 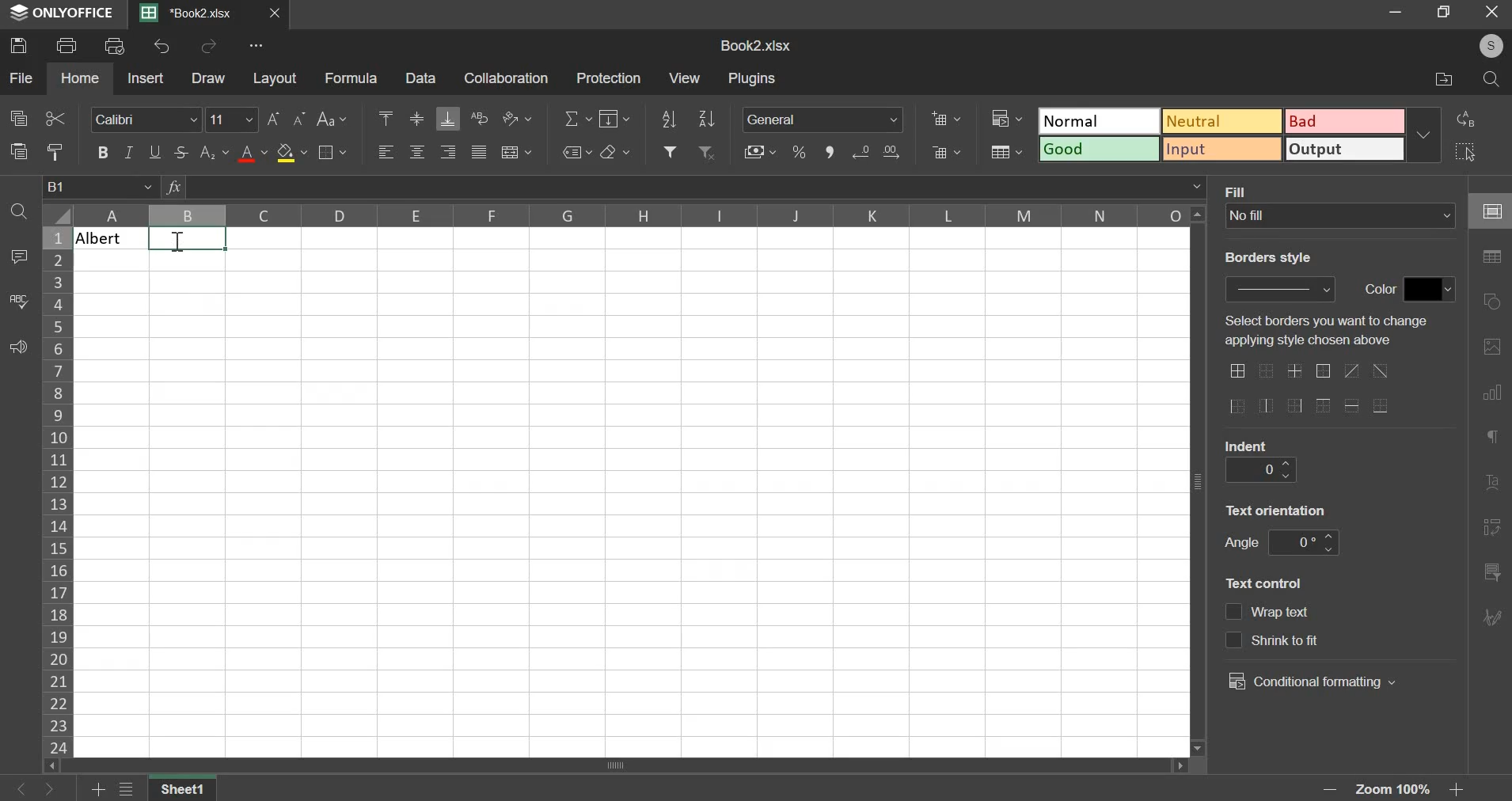 What do you see at coordinates (173, 186) in the screenshot?
I see `function` at bounding box center [173, 186].